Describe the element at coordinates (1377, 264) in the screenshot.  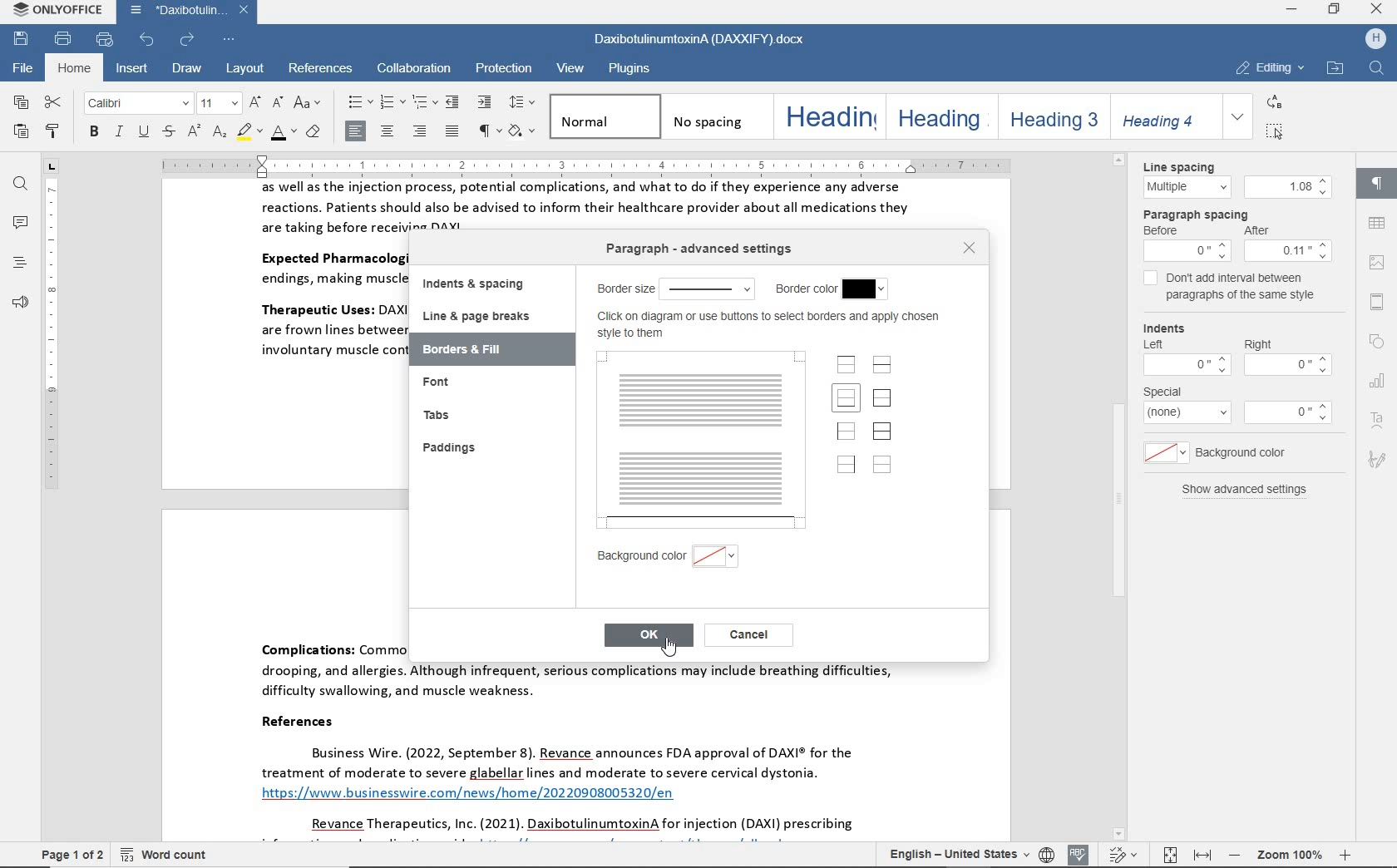
I see `image` at that location.